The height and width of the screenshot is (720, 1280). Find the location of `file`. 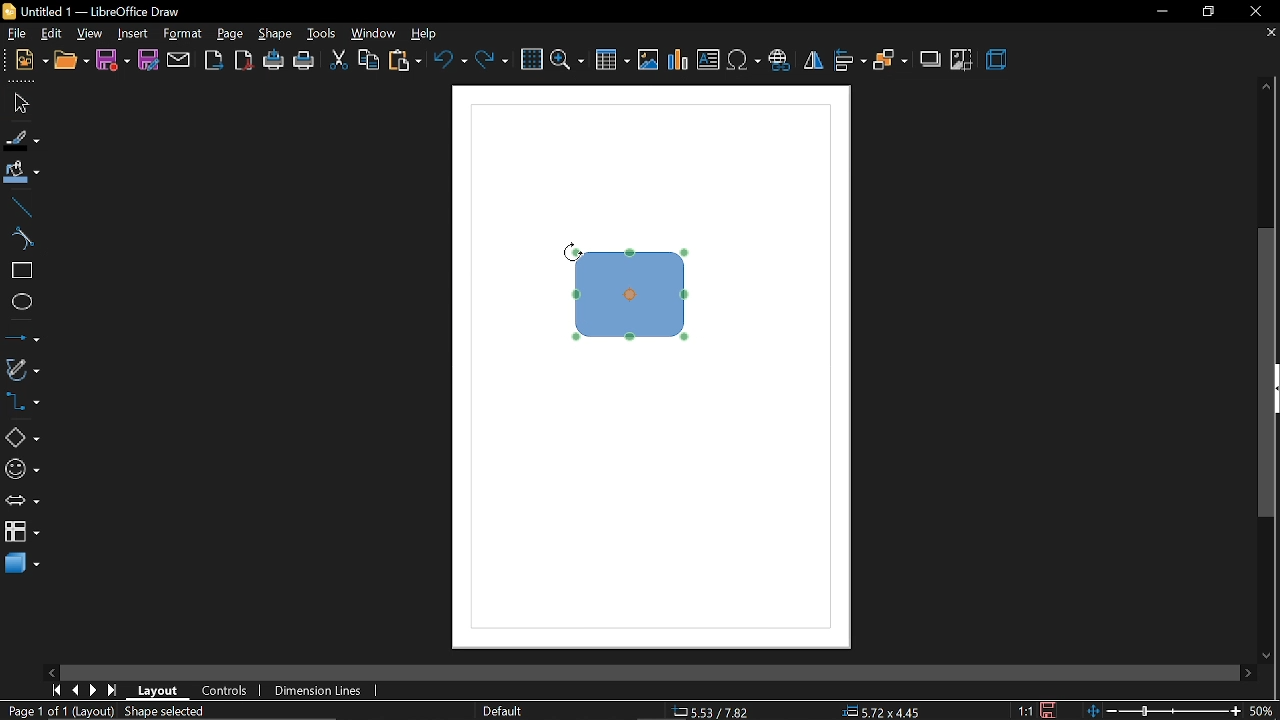

file is located at coordinates (19, 34).